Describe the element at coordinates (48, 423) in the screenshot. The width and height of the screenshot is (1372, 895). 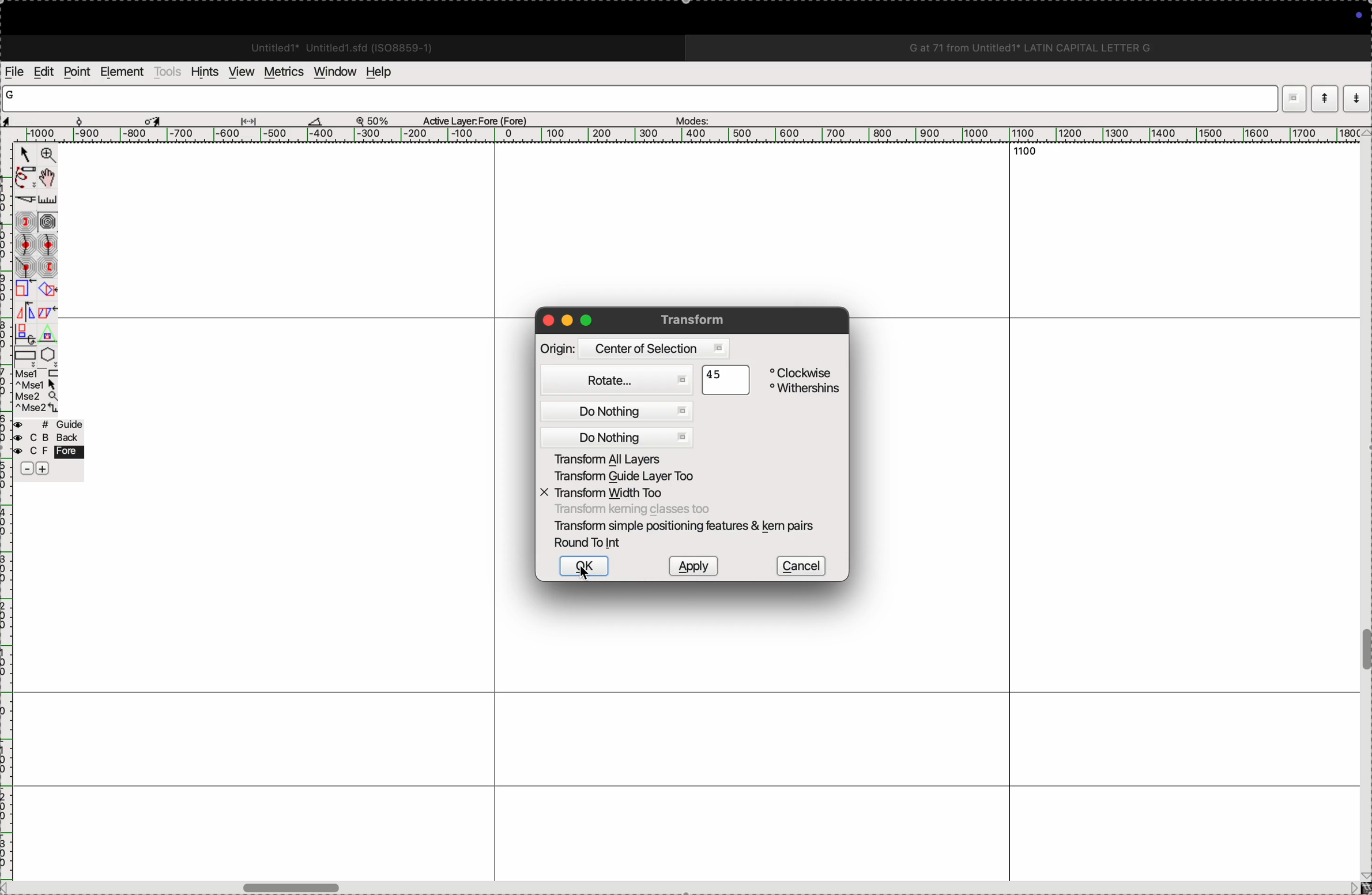
I see `guide layer` at that location.